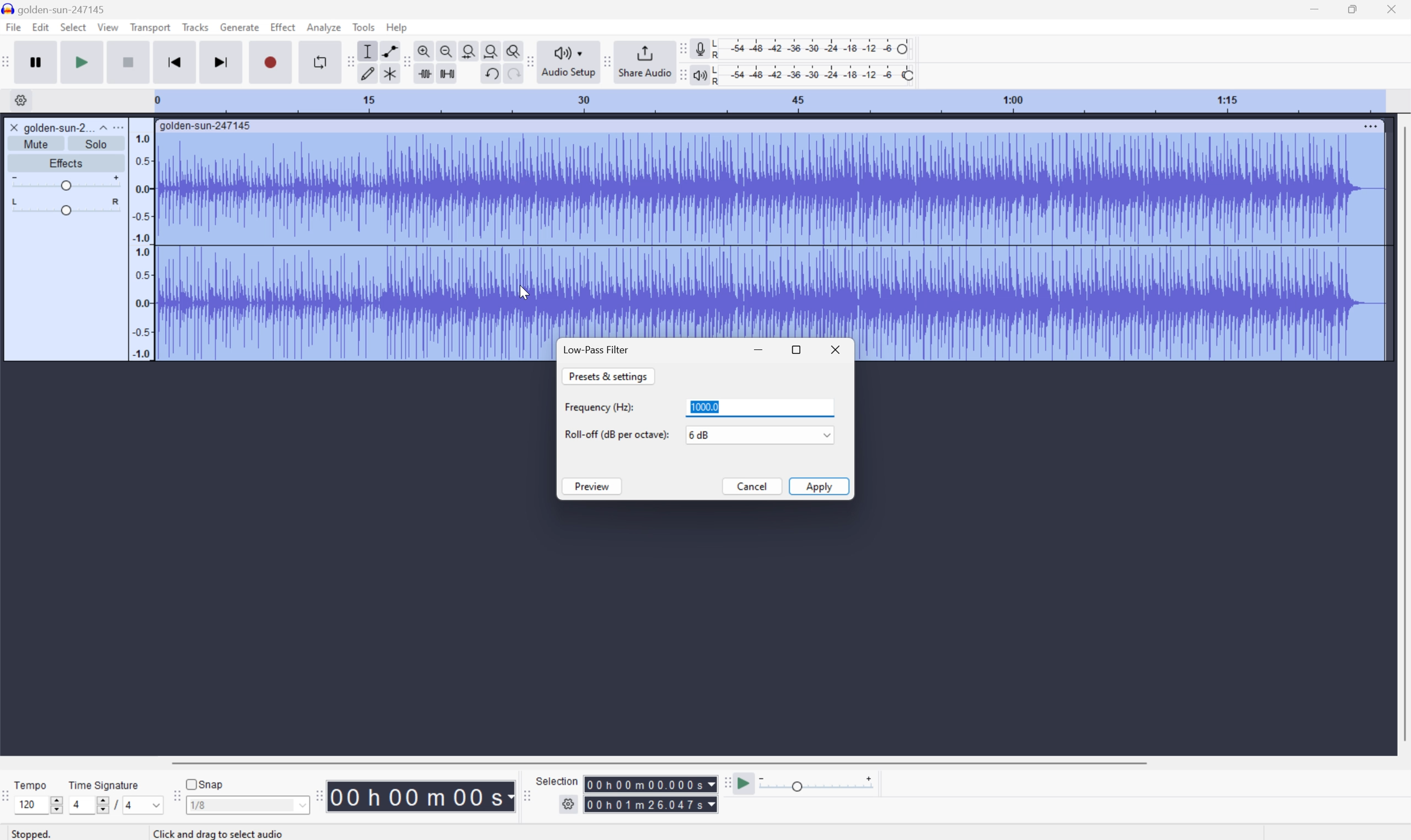 The image size is (1411, 840). What do you see at coordinates (1352, 10) in the screenshot?
I see `Restore Down` at bounding box center [1352, 10].